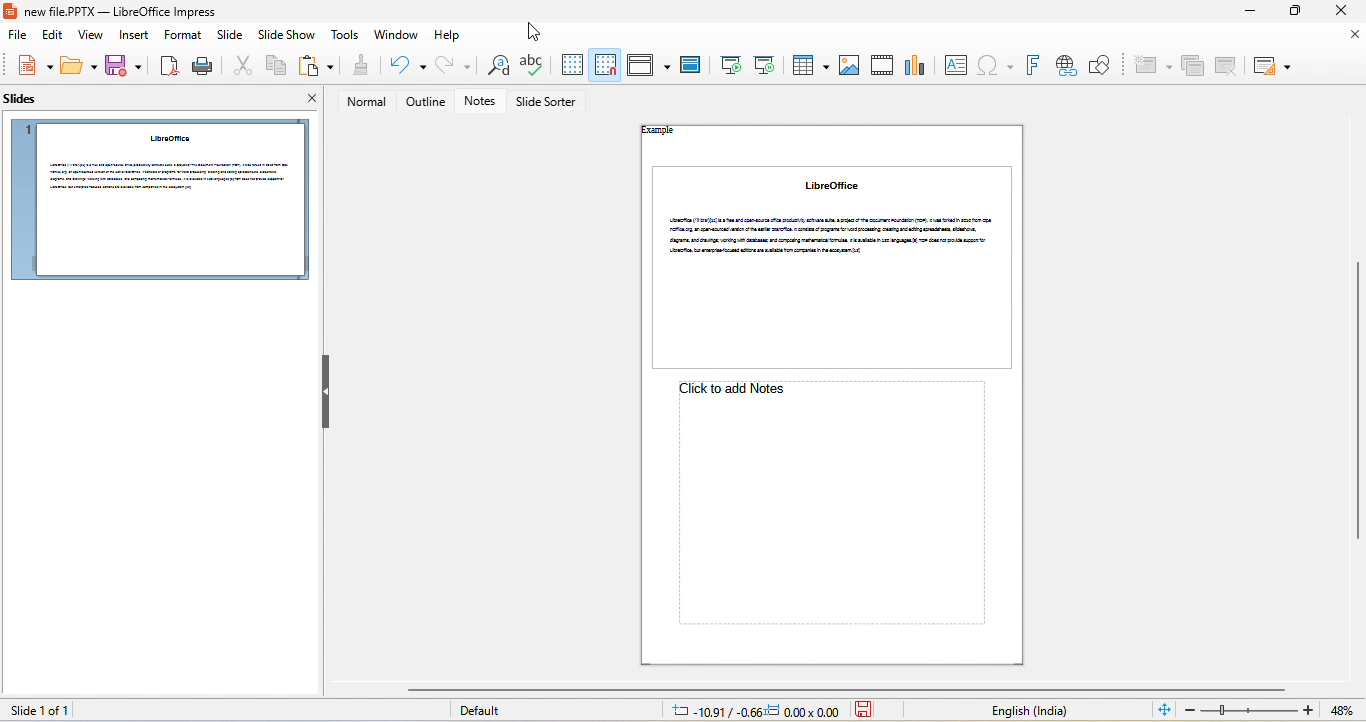 This screenshot has width=1366, height=722. What do you see at coordinates (50, 37) in the screenshot?
I see `edit` at bounding box center [50, 37].